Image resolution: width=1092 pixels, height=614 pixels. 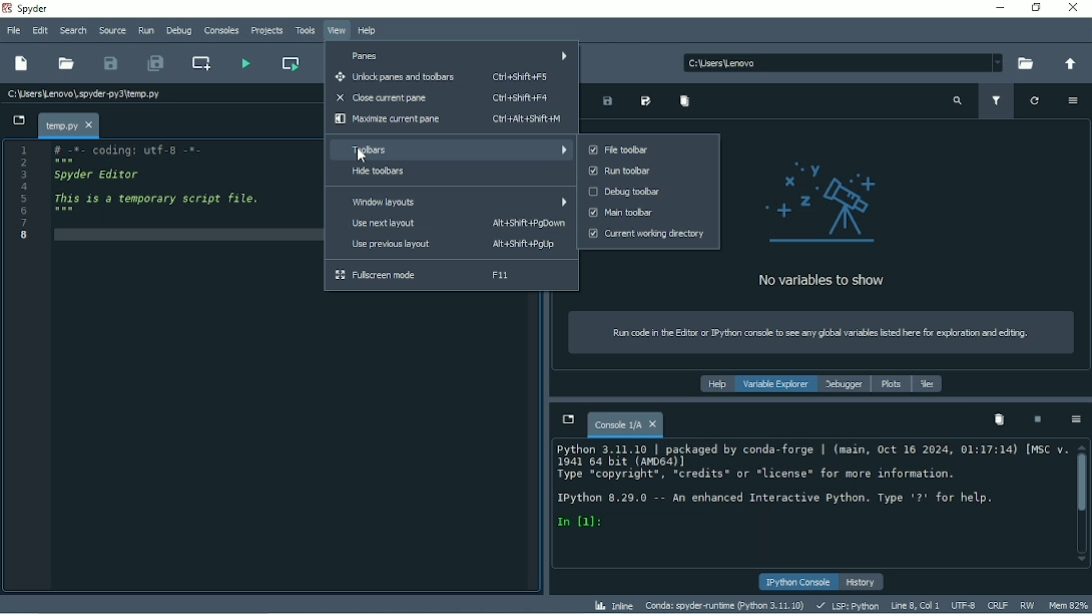 What do you see at coordinates (1022, 64) in the screenshot?
I see `Browse a working directory` at bounding box center [1022, 64].